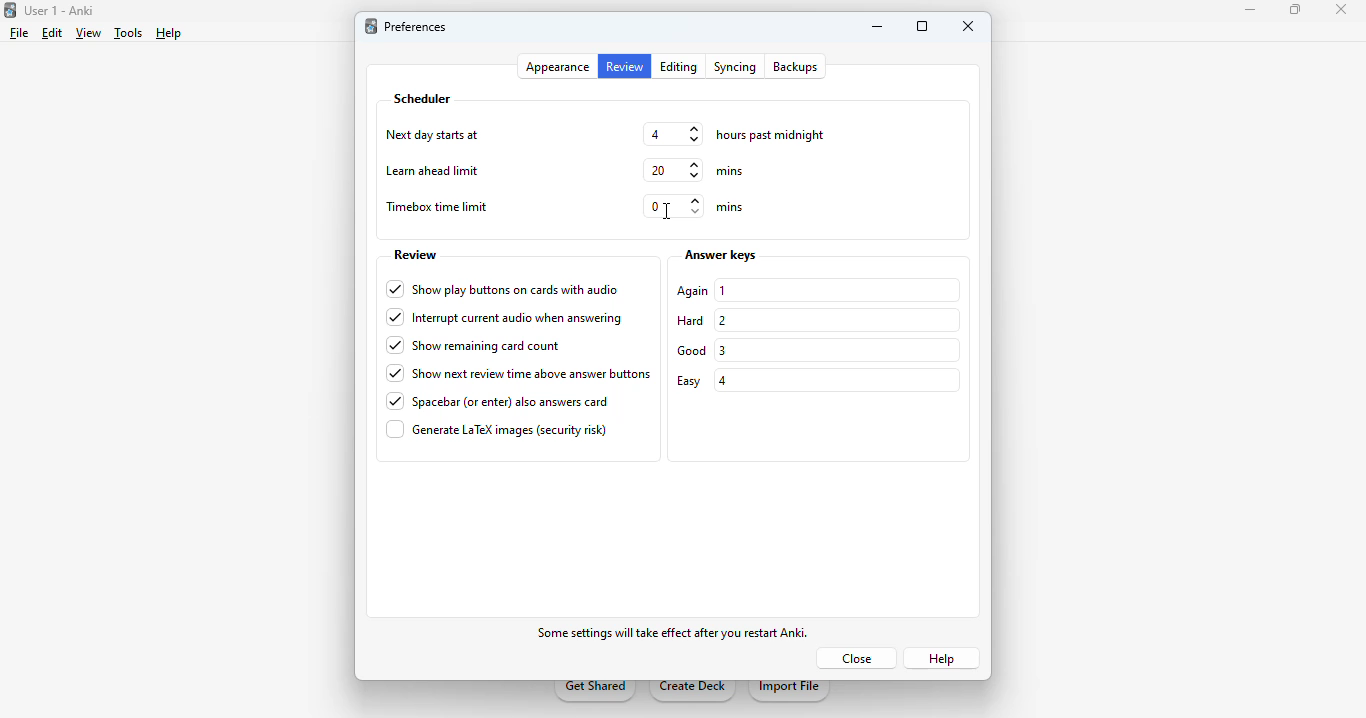 The image size is (1366, 718). Describe the element at coordinates (498, 402) in the screenshot. I see `spacebar (or enter) also answers card` at that location.